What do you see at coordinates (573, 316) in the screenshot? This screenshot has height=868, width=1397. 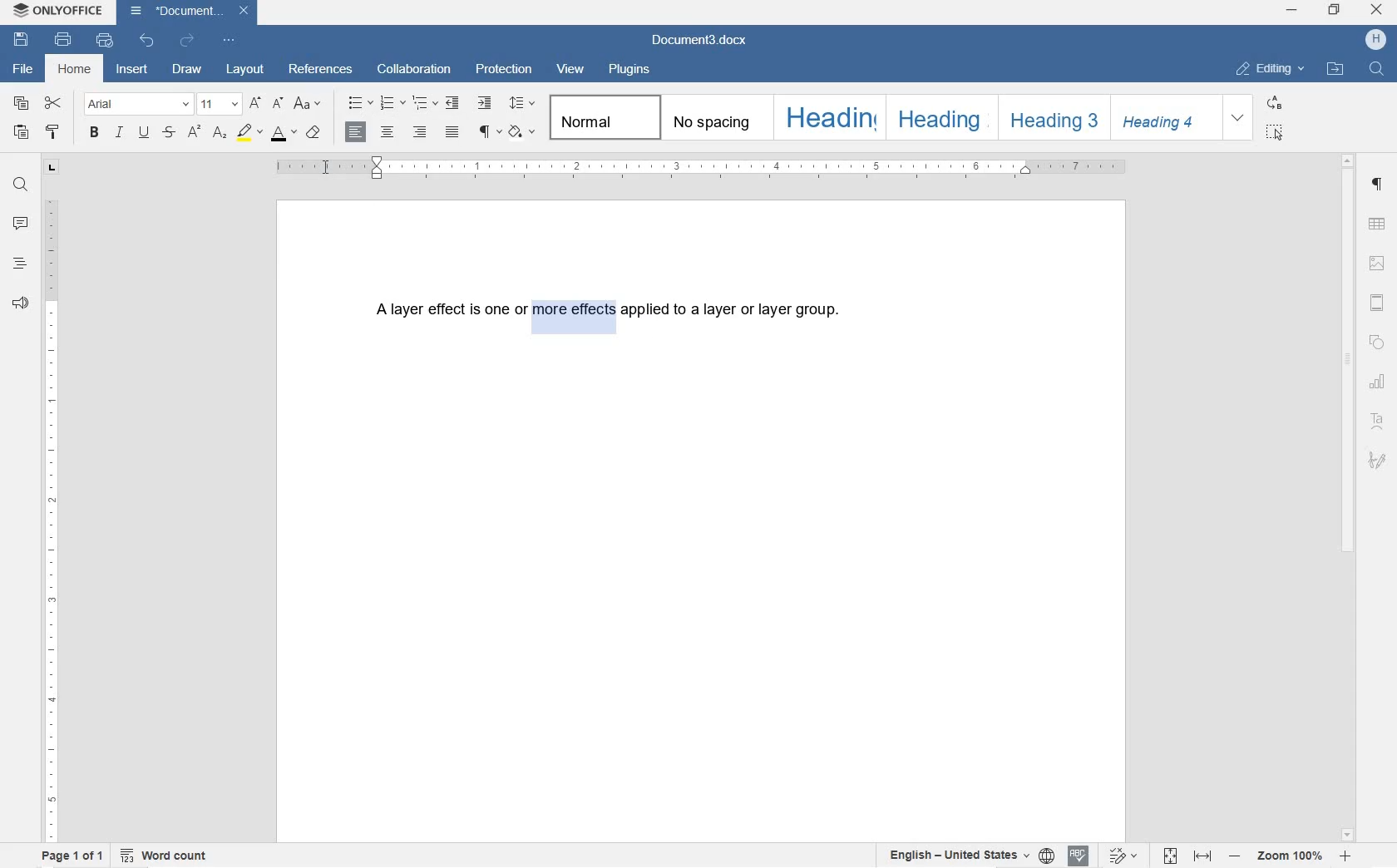 I see `SMALL CAPS/LOWER CASE ADDED` at bounding box center [573, 316].